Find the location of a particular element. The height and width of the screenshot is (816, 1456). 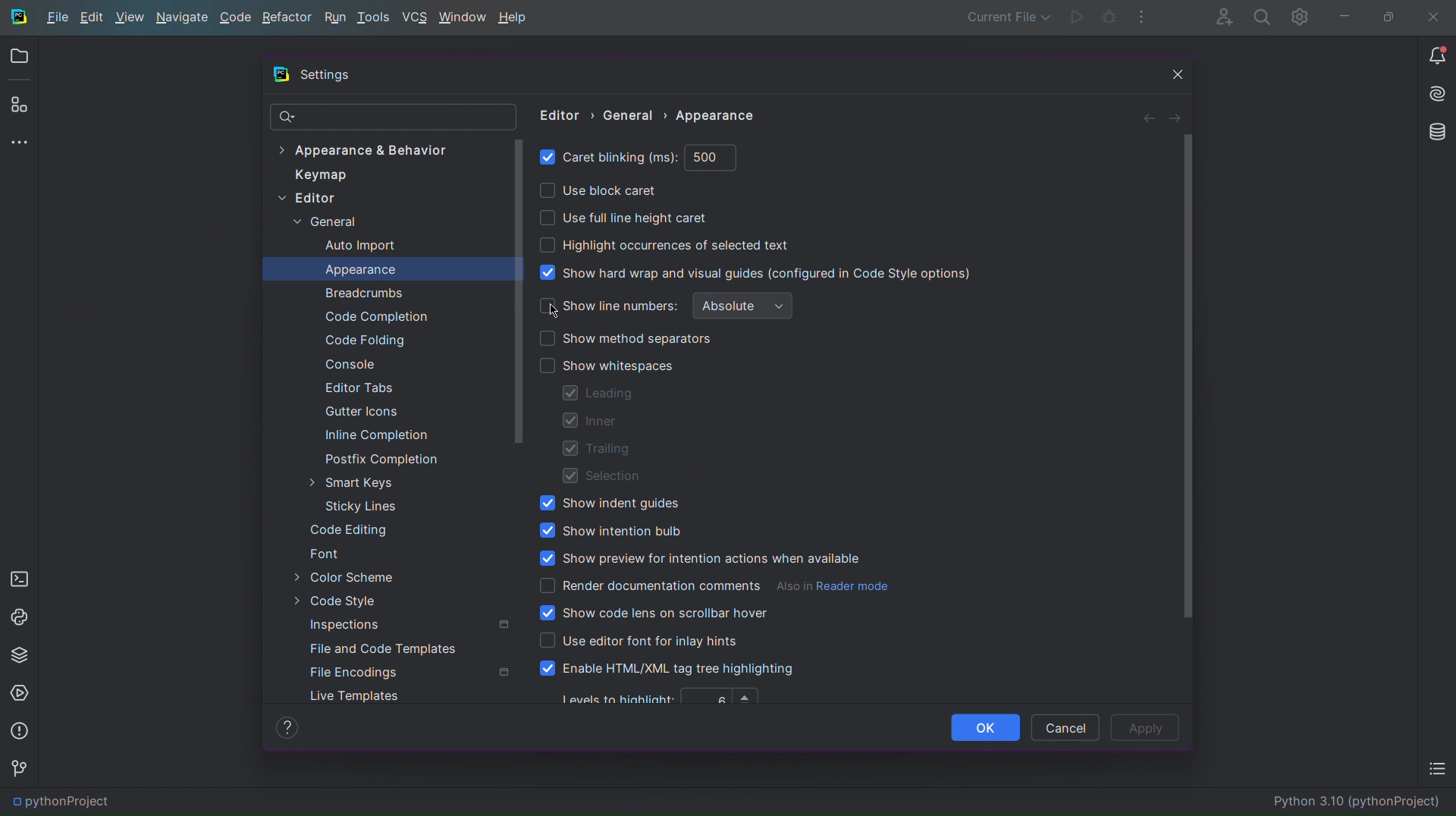

Cursor is located at coordinates (558, 313).